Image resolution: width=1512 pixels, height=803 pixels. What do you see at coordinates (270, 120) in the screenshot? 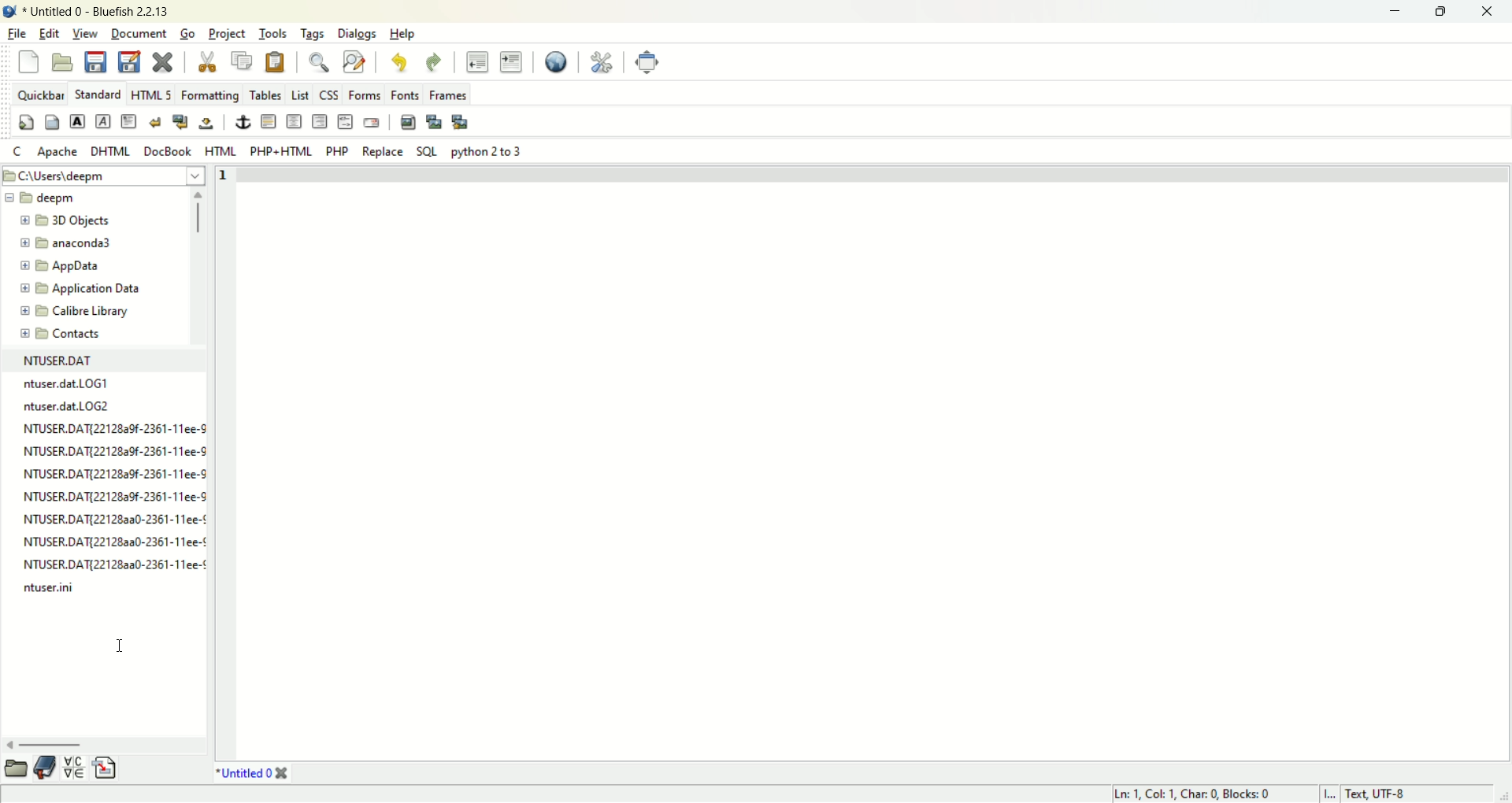
I see `horizontal rule` at bounding box center [270, 120].